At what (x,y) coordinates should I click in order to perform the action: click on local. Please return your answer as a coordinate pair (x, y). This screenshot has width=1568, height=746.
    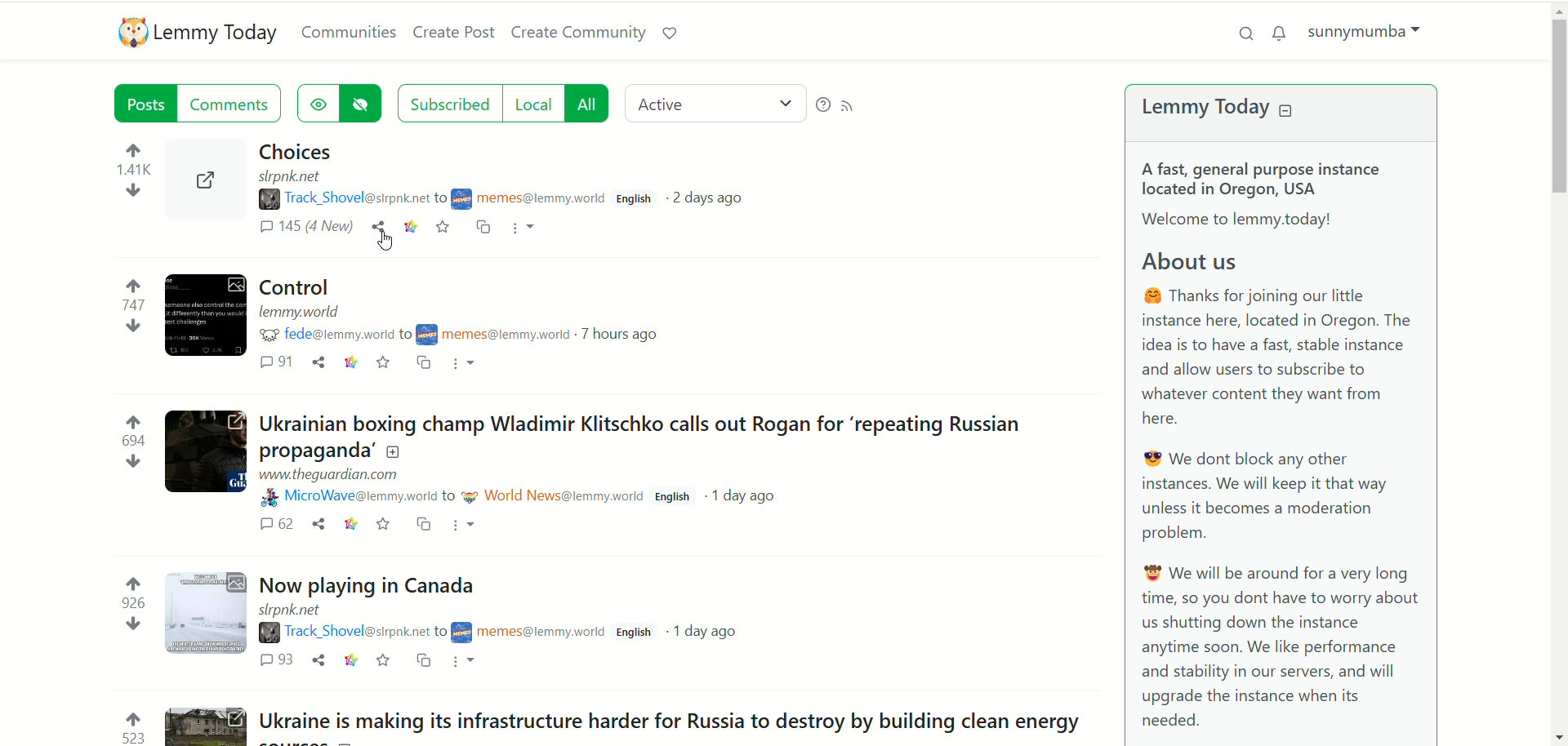
    Looking at the image, I should click on (532, 102).